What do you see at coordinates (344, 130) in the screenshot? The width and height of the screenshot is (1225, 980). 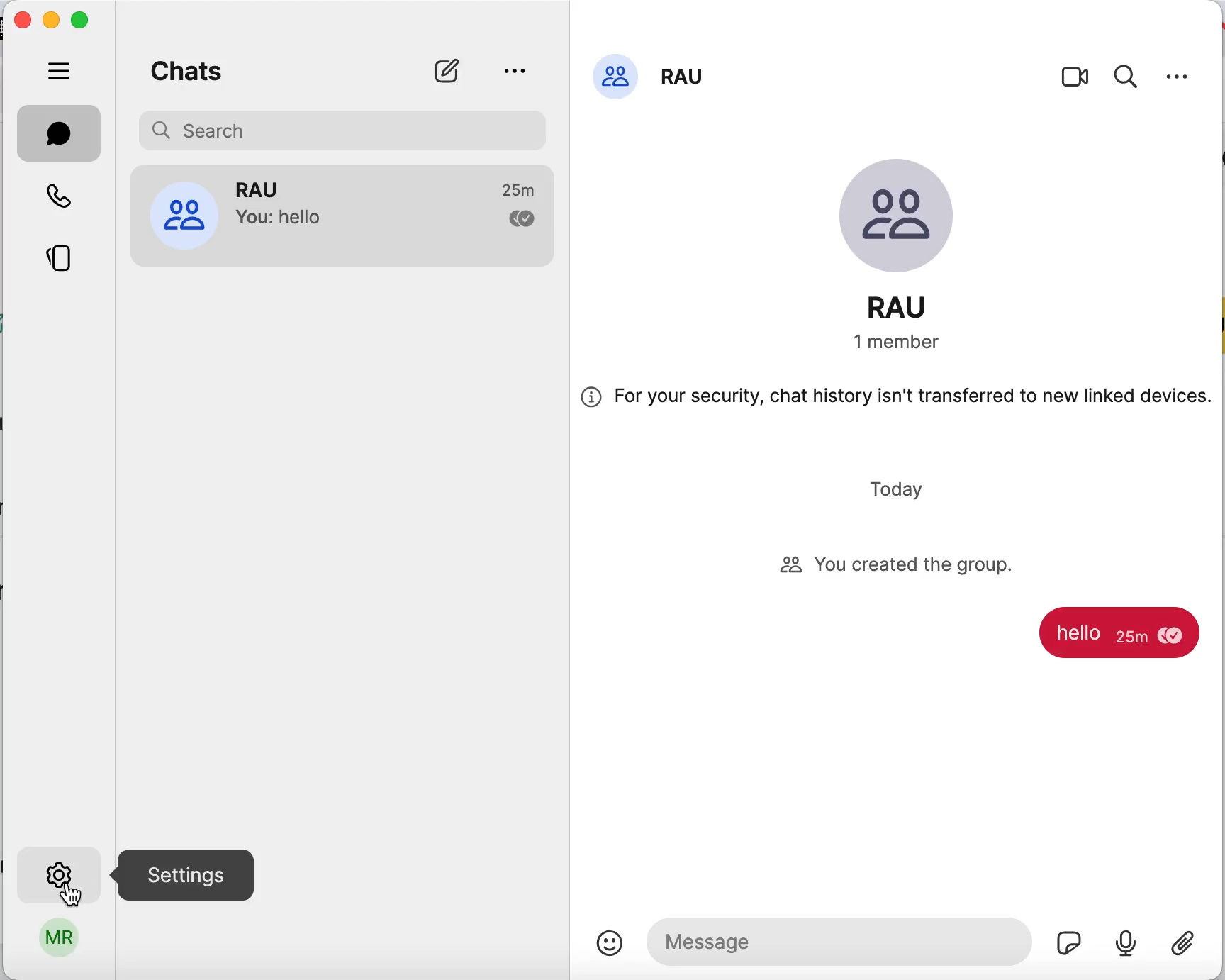 I see `search` at bounding box center [344, 130].